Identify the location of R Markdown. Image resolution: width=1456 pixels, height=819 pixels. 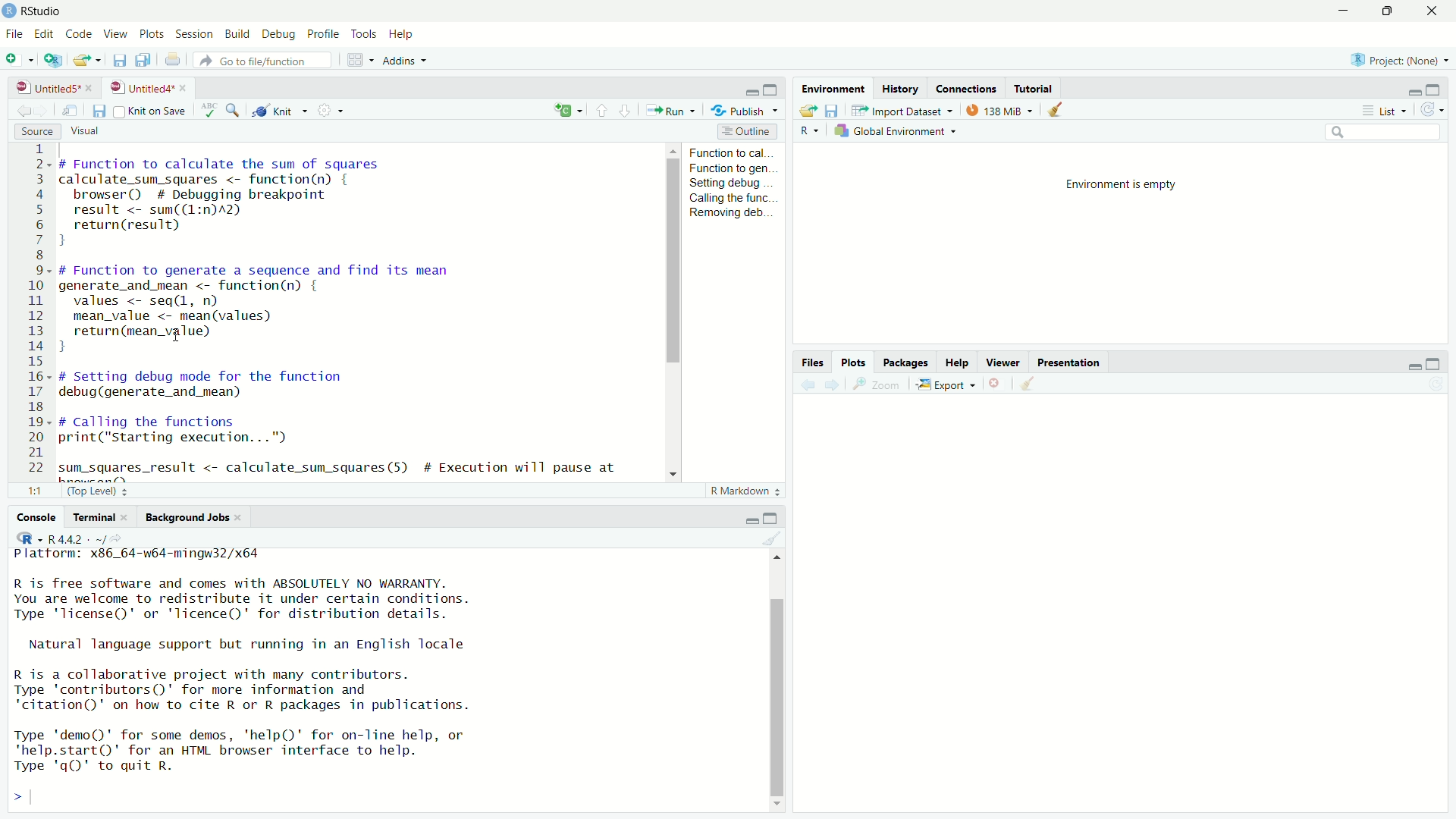
(741, 488).